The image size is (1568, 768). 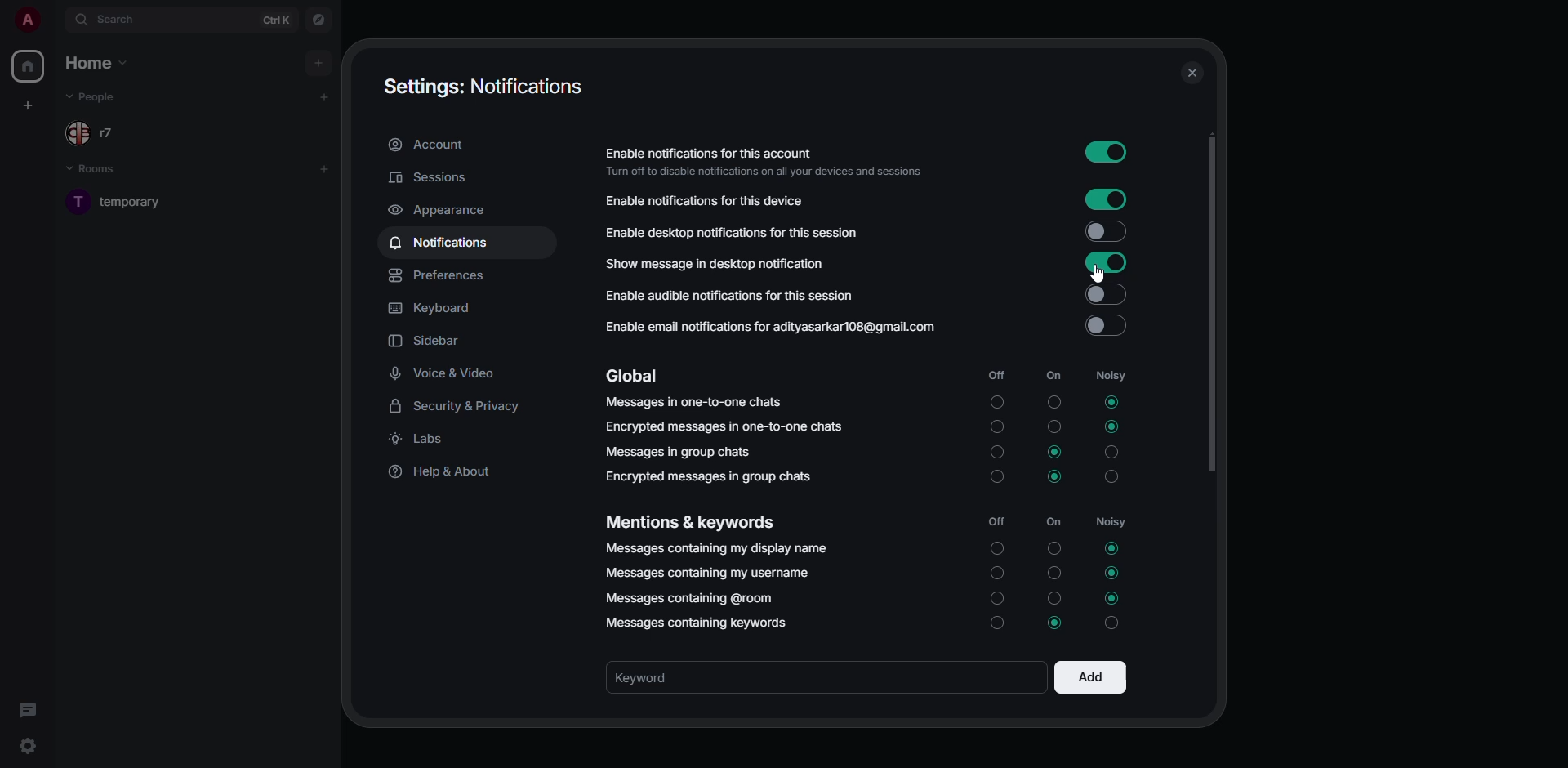 I want to click on people, so click(x=91, y=132).